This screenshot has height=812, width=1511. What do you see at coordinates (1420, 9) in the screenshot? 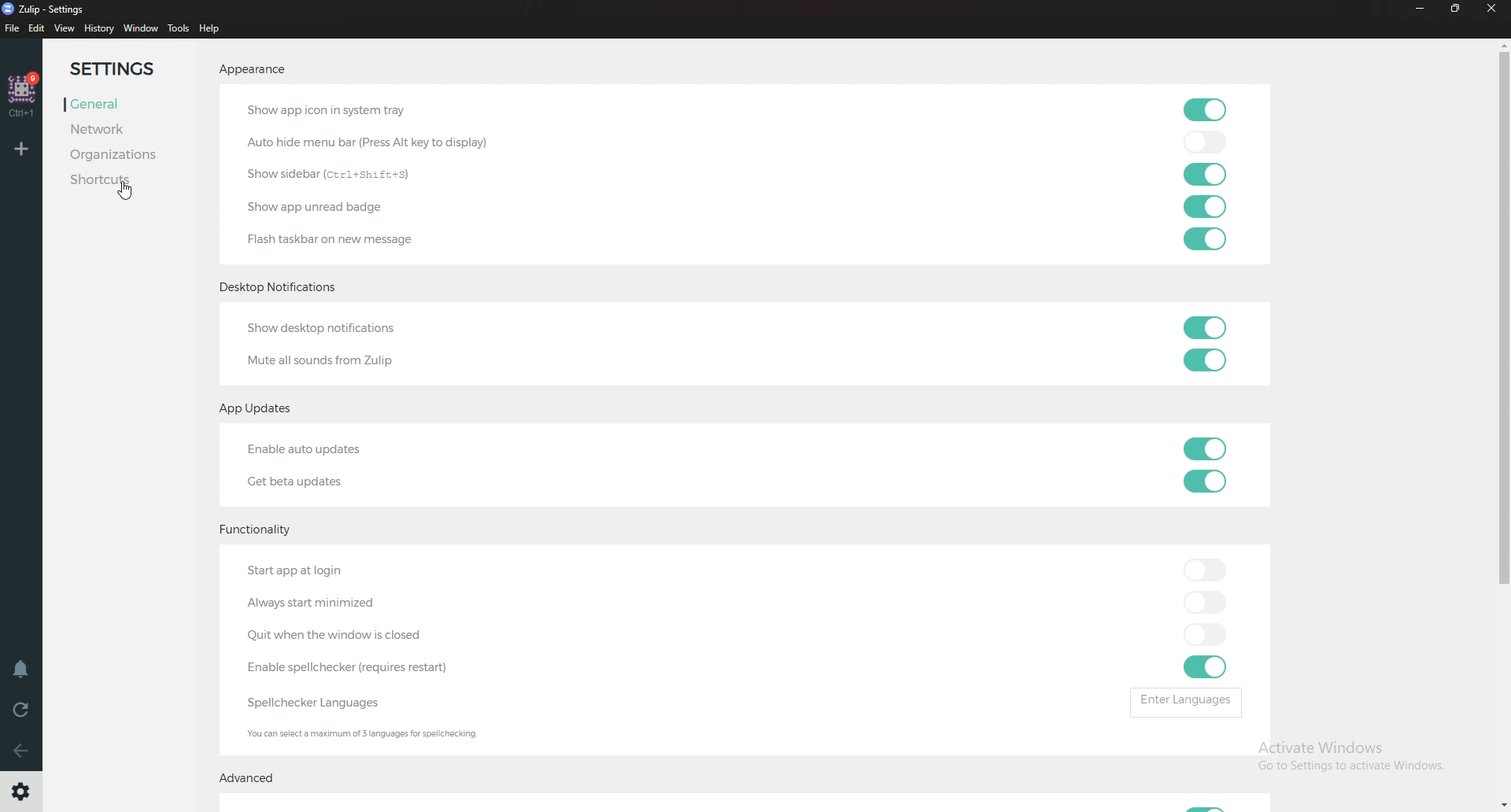
I see `Minimize` at bounding box center [1420, 9].